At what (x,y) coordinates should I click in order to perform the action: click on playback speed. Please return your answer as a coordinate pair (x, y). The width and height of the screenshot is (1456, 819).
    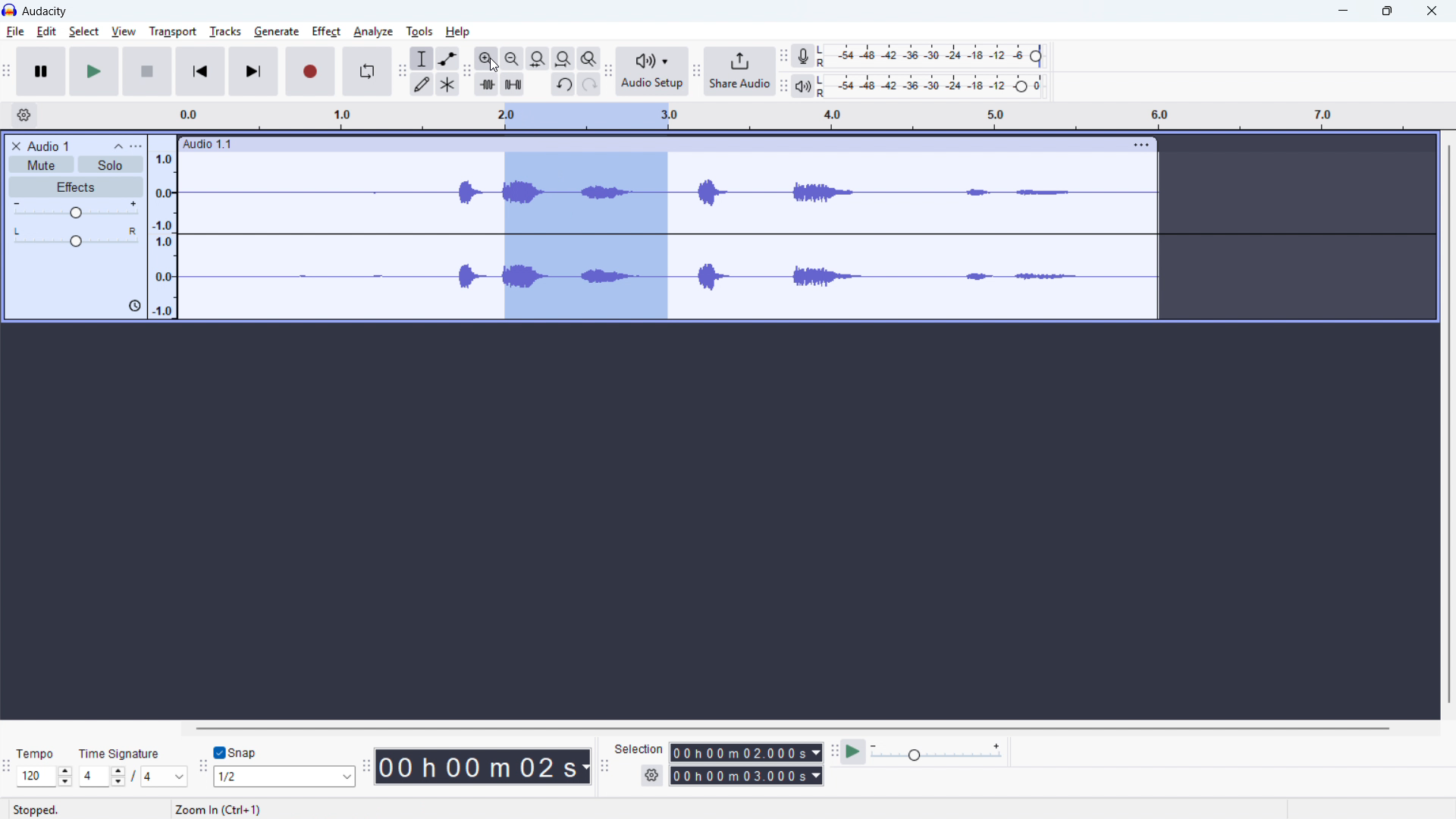
    Looking at the image, I should click on (937, 752).